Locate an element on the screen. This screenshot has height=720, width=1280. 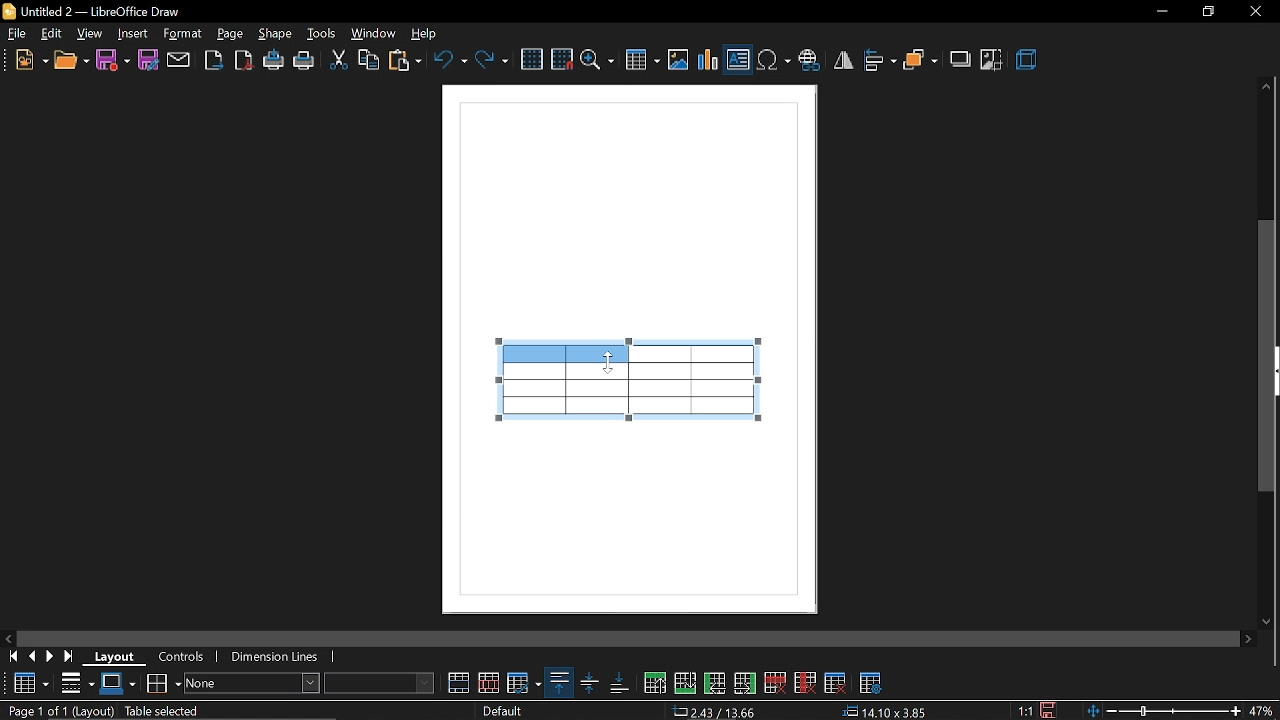
file is located at coordinates (14, 33).